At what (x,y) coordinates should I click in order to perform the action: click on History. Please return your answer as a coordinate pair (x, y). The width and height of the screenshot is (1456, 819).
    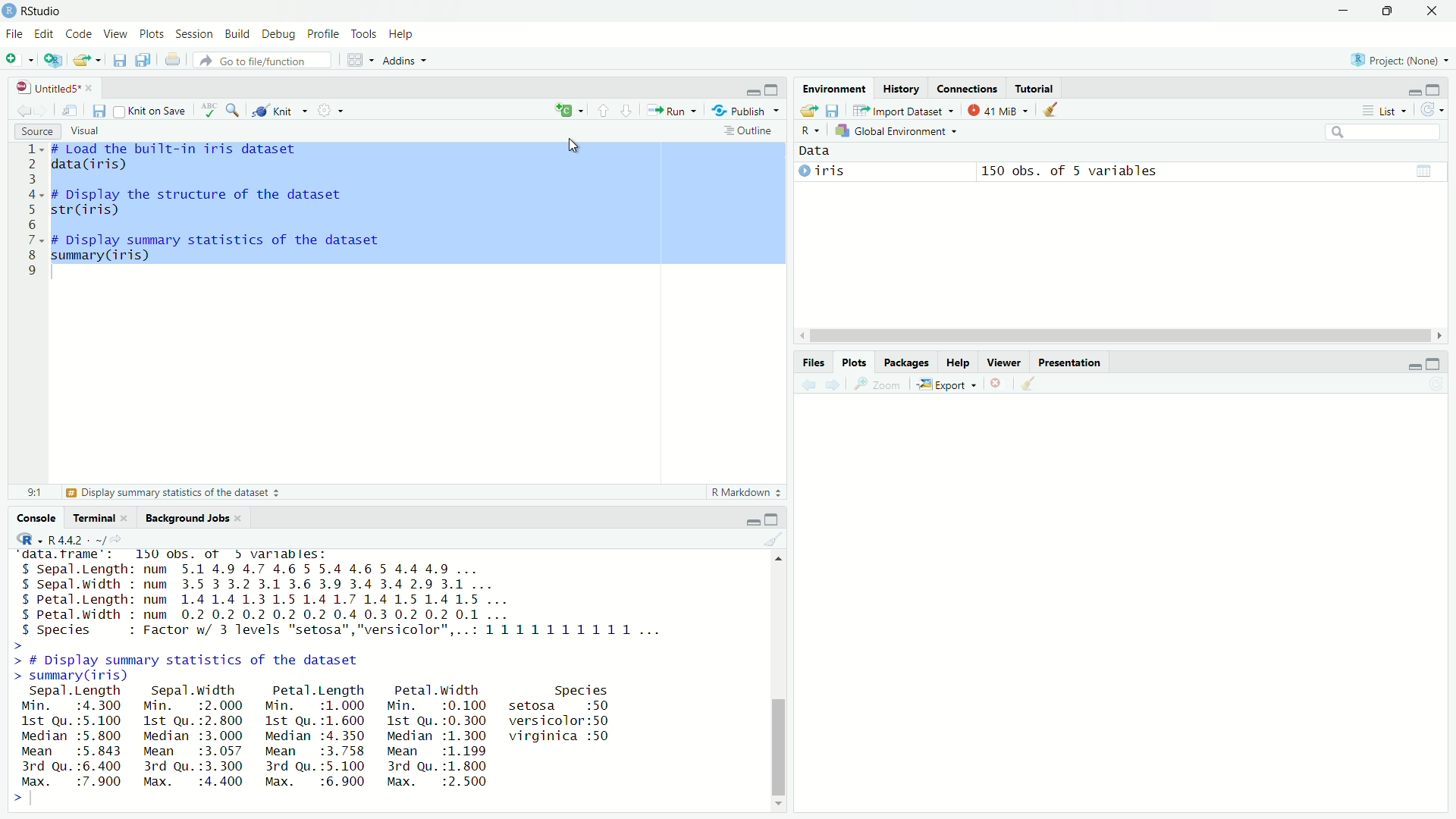
    Looking at the image, I should click on (900, 89).